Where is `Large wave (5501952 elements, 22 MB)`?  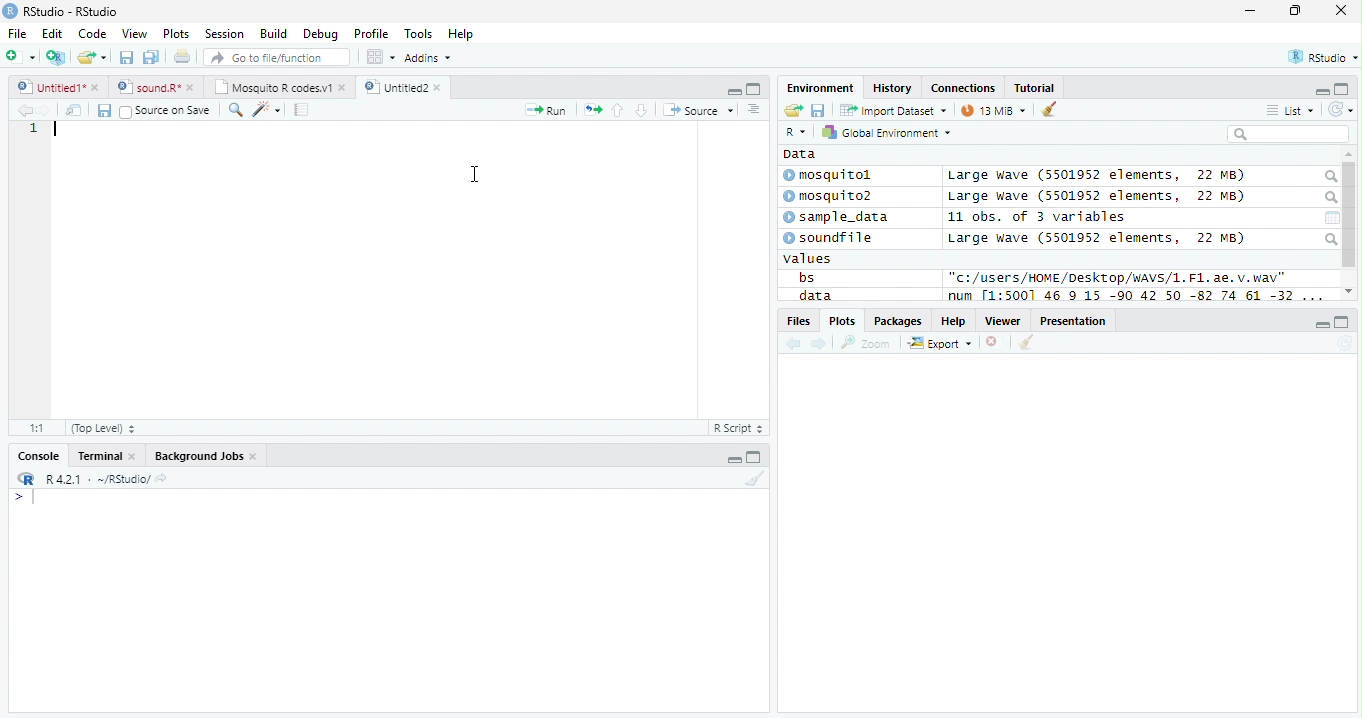 Large wave (5501952 elements, 22 MB) is located at coordinates (1096, 176).